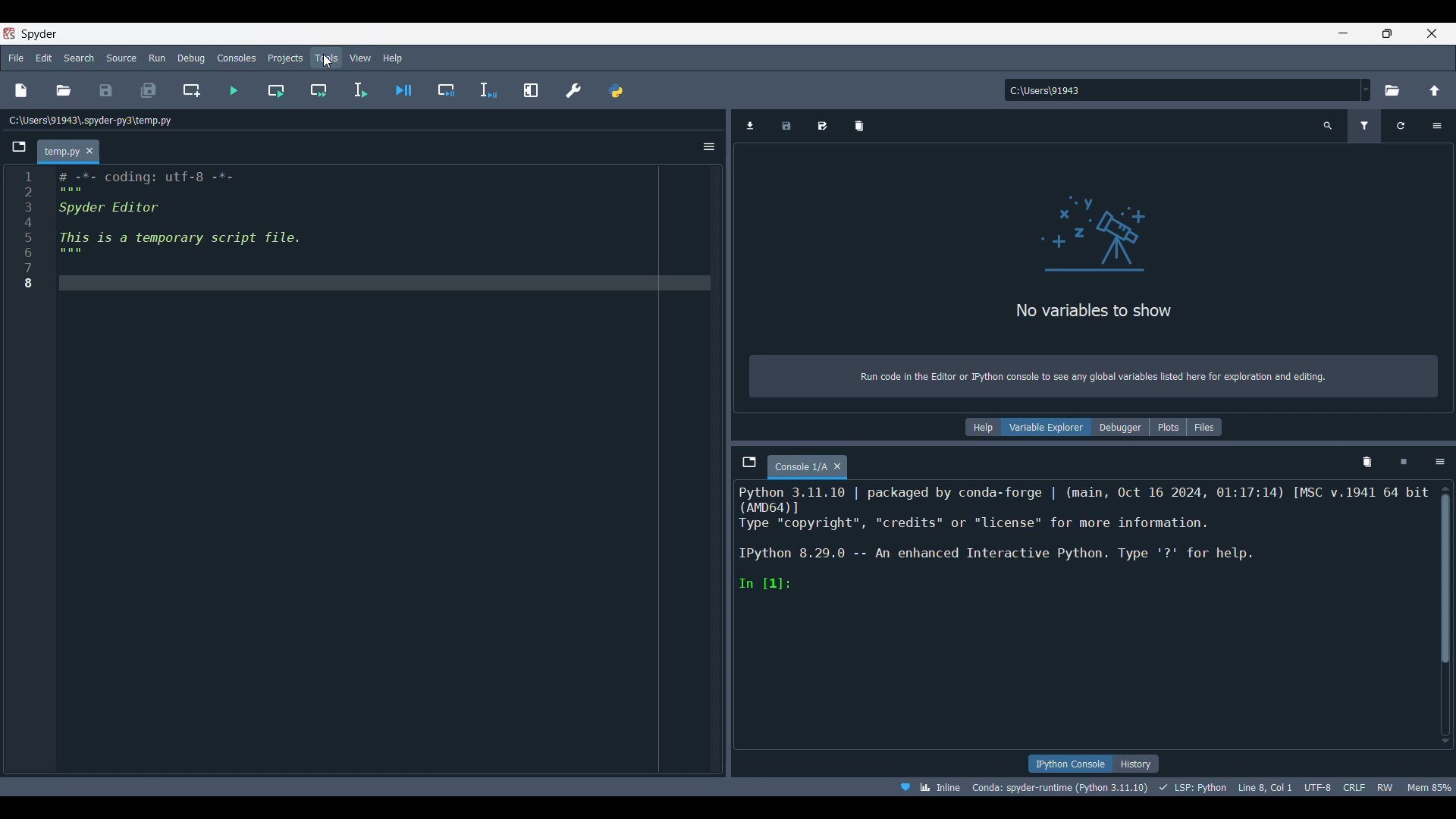 The height and width of the screenshot is (819, 1456). Describe the element at coordinates (1190, 788) in the screenshot. I see `LSP: Python` at that location.